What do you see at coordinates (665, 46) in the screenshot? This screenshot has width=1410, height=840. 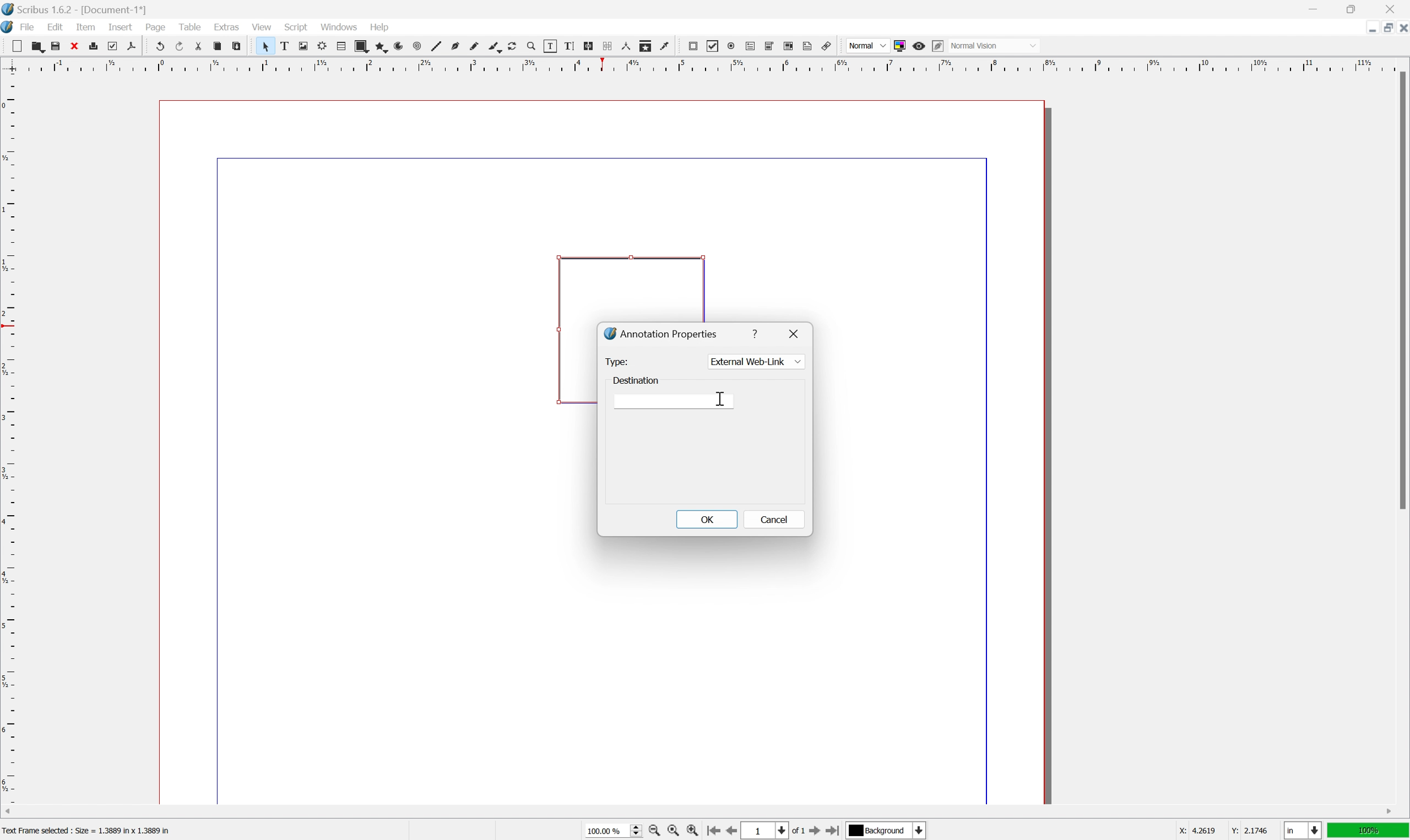 I see `eye dropper` at bounding box center [665, 46].